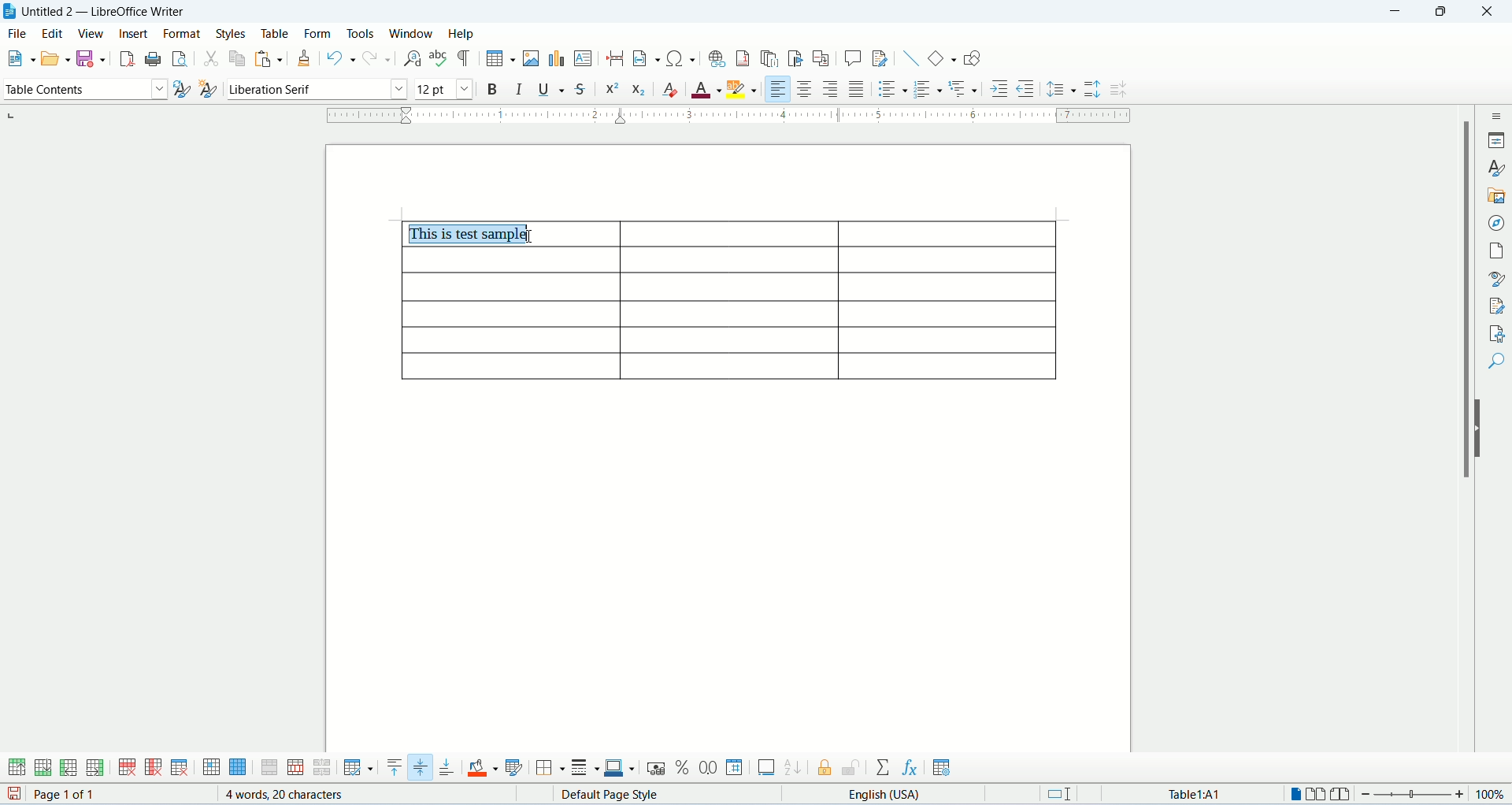  I want to click on insert page break, so click(616, 57).